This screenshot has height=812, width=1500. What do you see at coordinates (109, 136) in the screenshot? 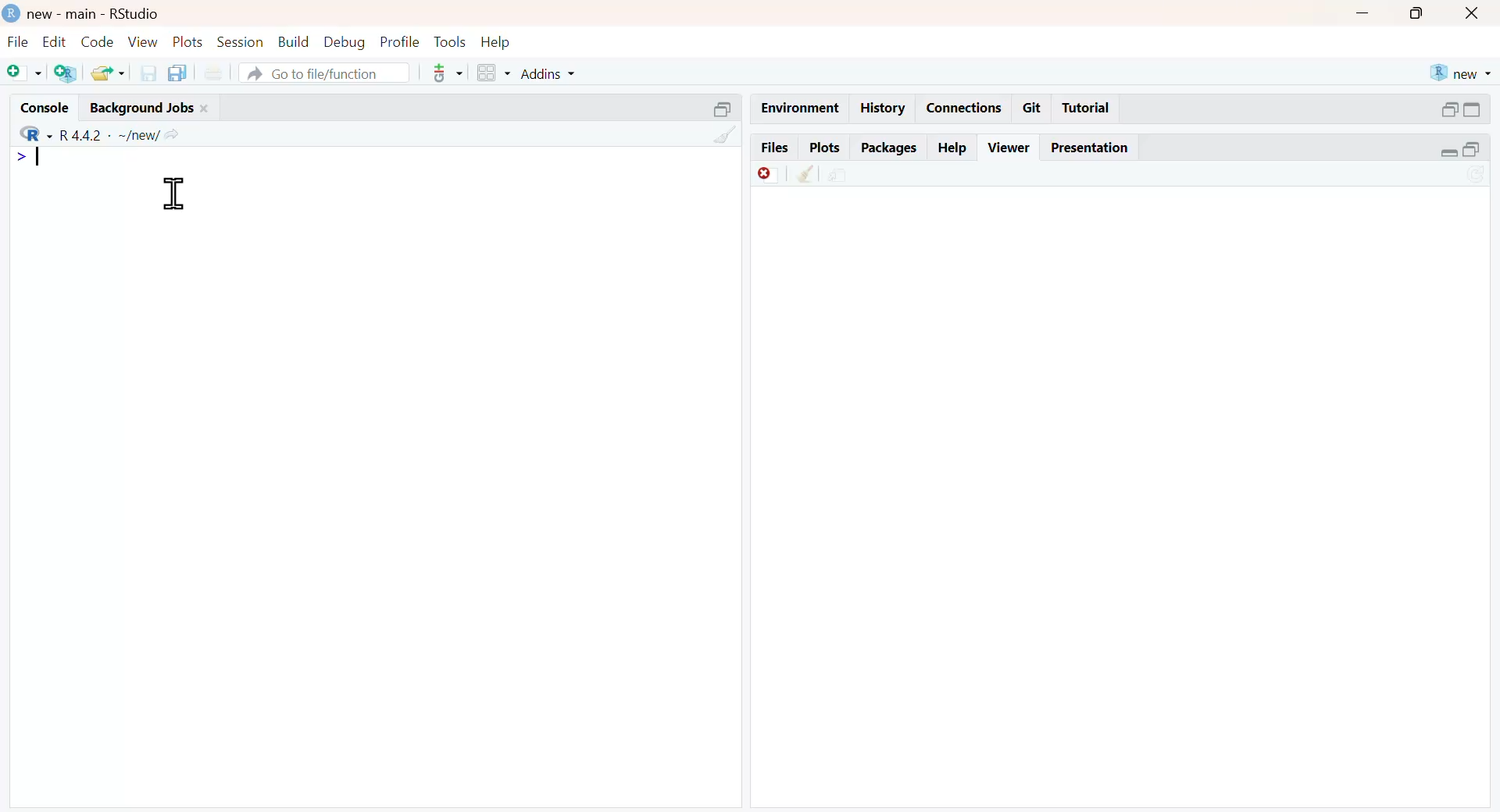
I see `R 4.4.2 ~/new/` at bounding box center [109, 136].